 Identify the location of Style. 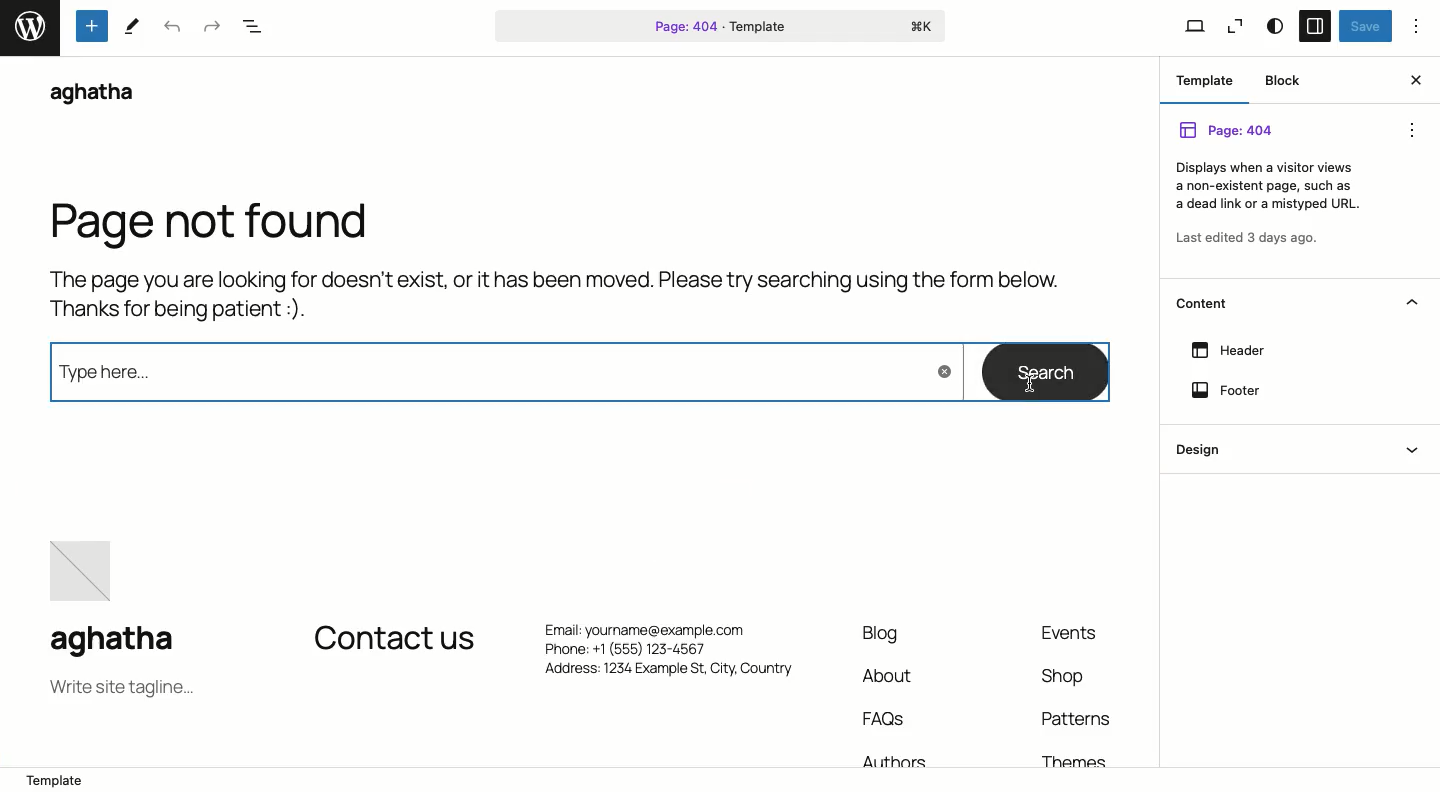
(1276, 27).